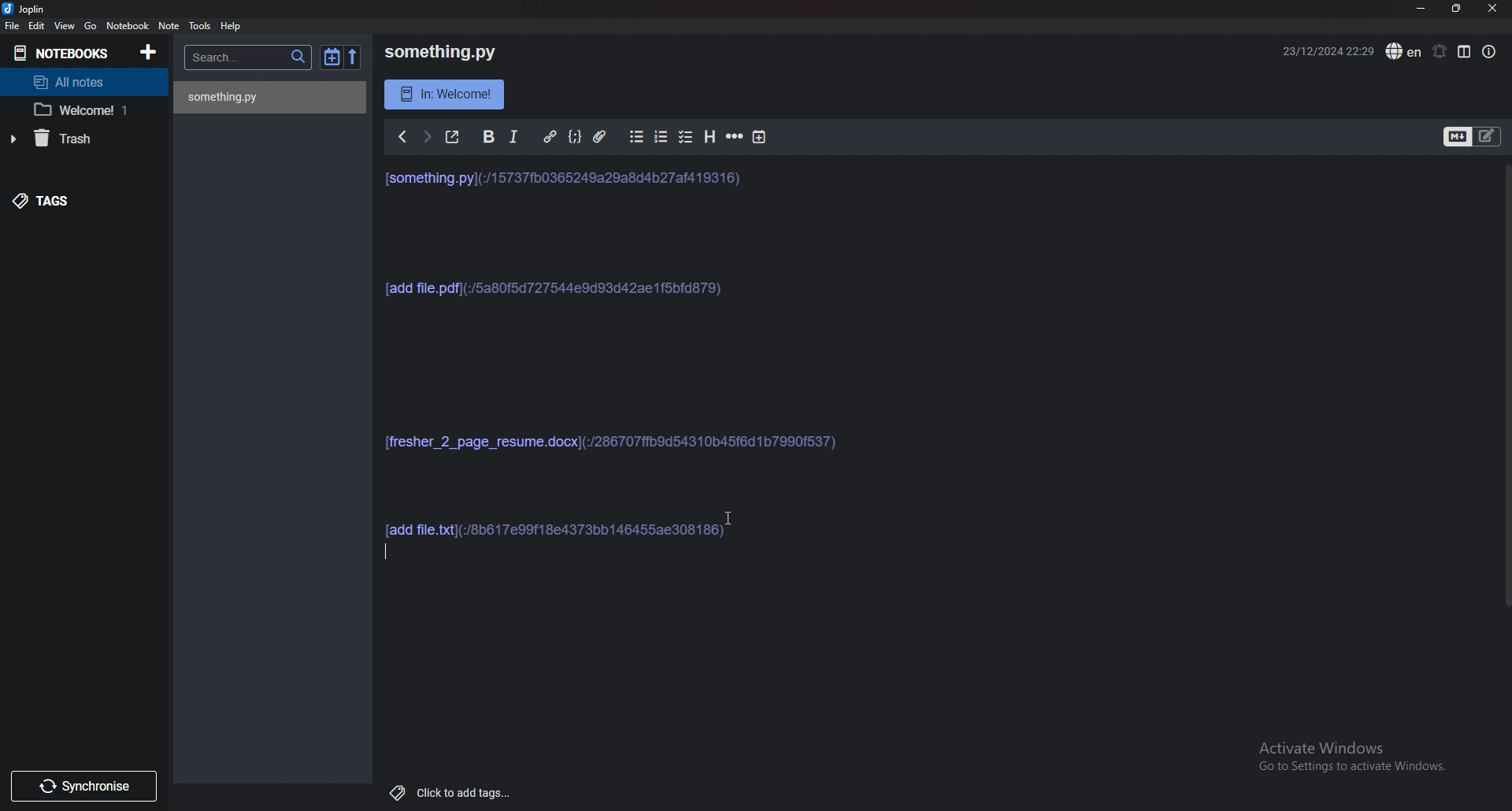  Describe the element at coordinates (351, 57) in the screenshot. I see `Reverse sort order` at that location.